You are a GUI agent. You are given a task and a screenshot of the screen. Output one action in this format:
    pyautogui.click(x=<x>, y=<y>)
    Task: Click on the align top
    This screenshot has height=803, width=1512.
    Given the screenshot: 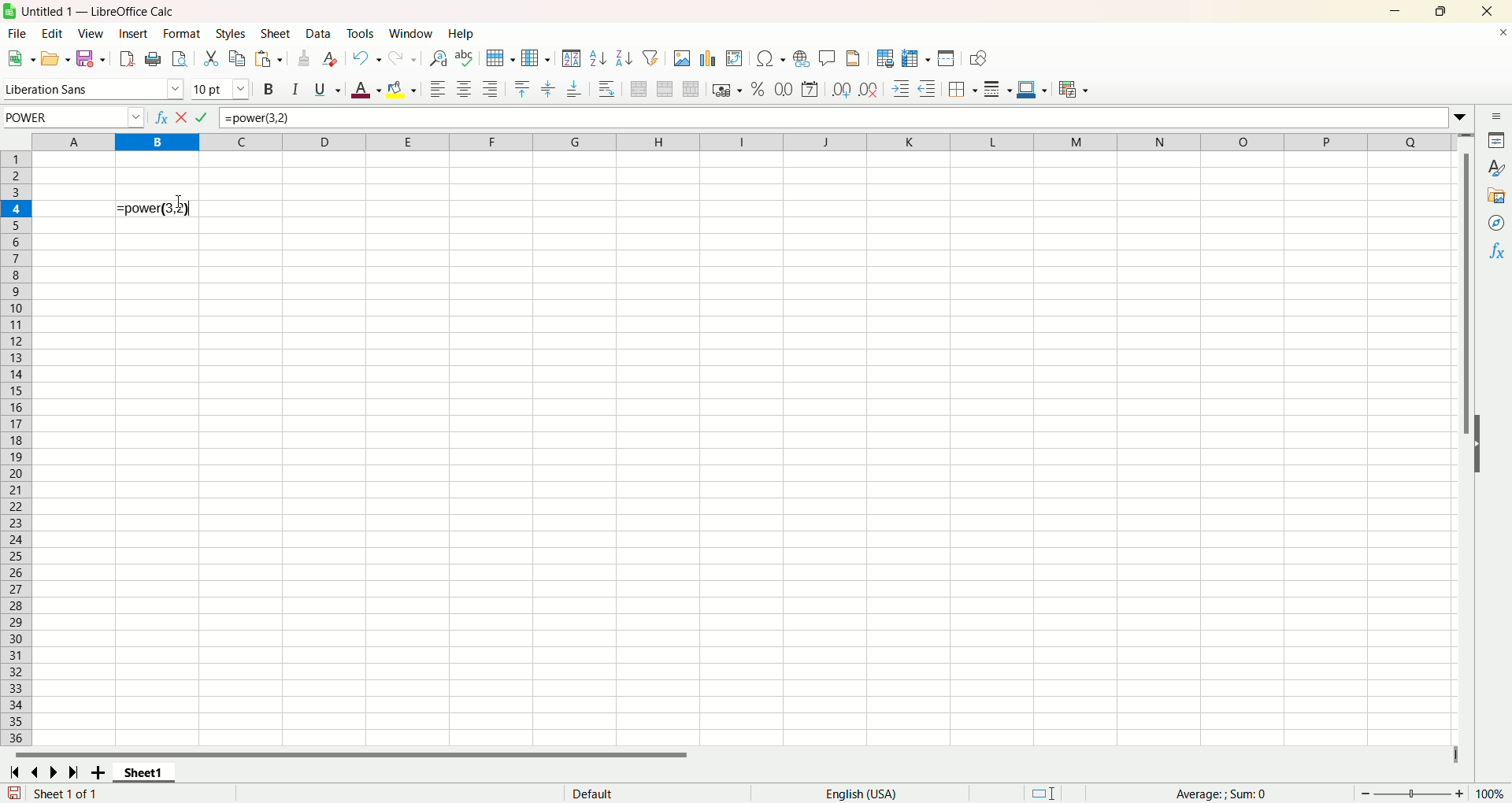 What is the action you would take?
    pyautogui.click(x=521, y=87)
    